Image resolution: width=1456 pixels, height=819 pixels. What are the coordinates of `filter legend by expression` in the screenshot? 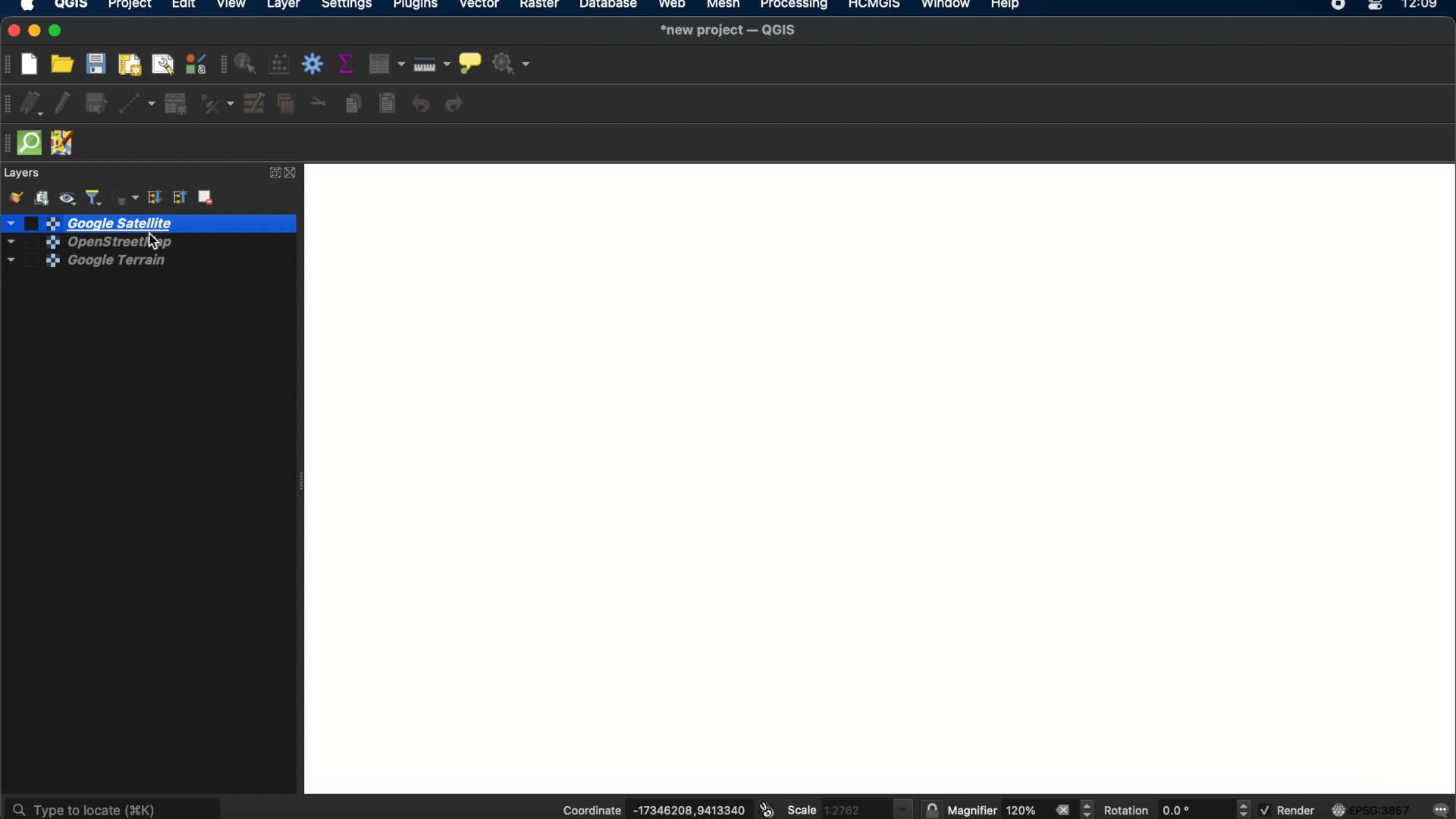 It's located at (124, 196).